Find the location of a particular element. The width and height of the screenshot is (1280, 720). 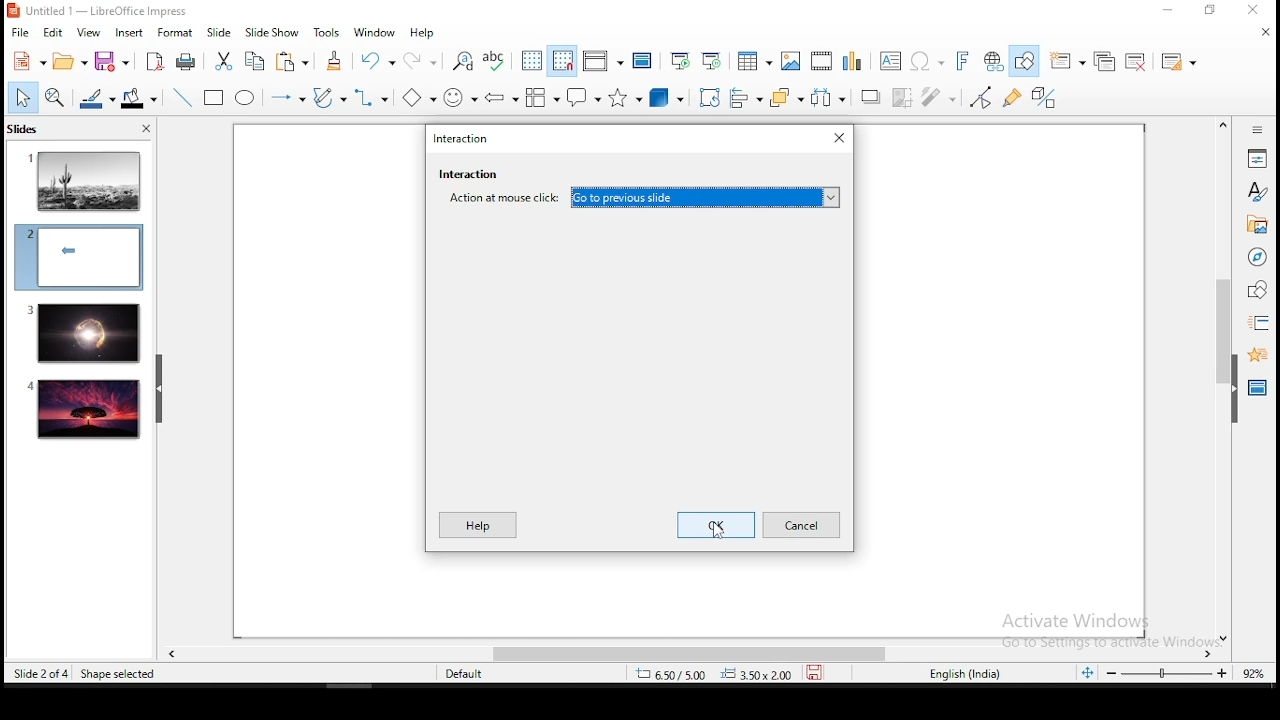

copy is located at coordinates (252, 61).